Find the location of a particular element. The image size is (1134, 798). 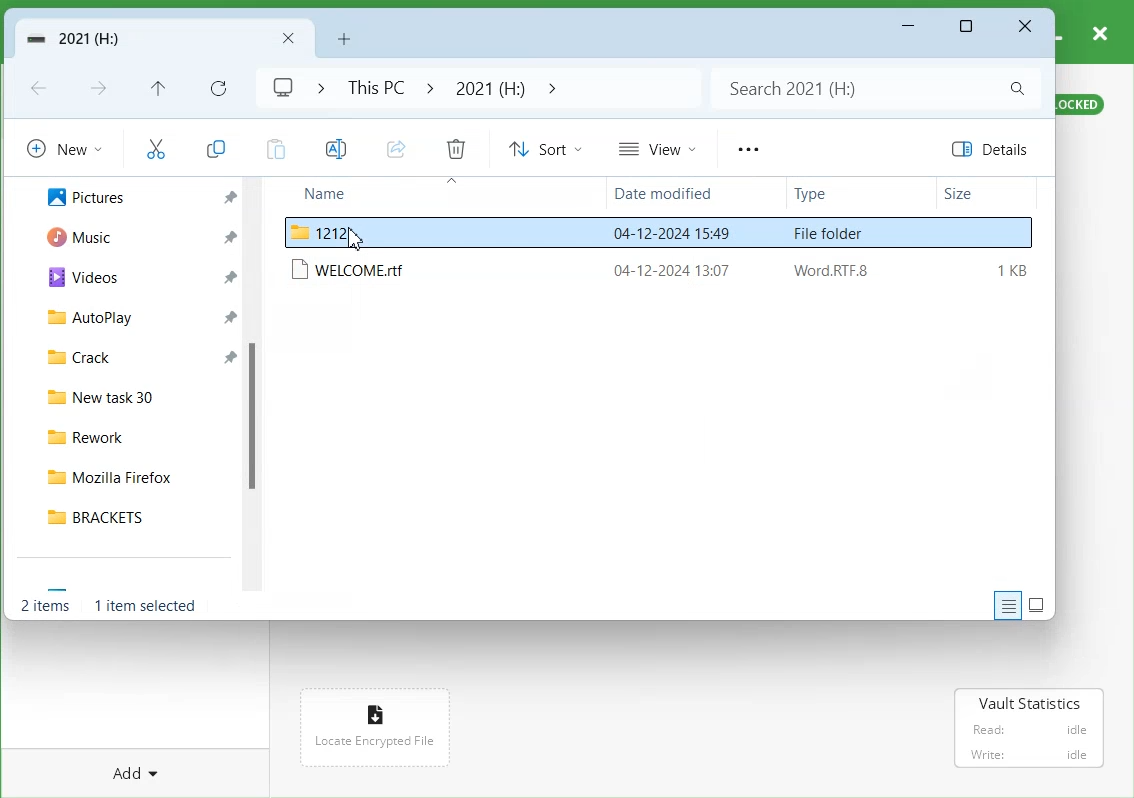

2021 (H:) is located at coordinates (489, 87).